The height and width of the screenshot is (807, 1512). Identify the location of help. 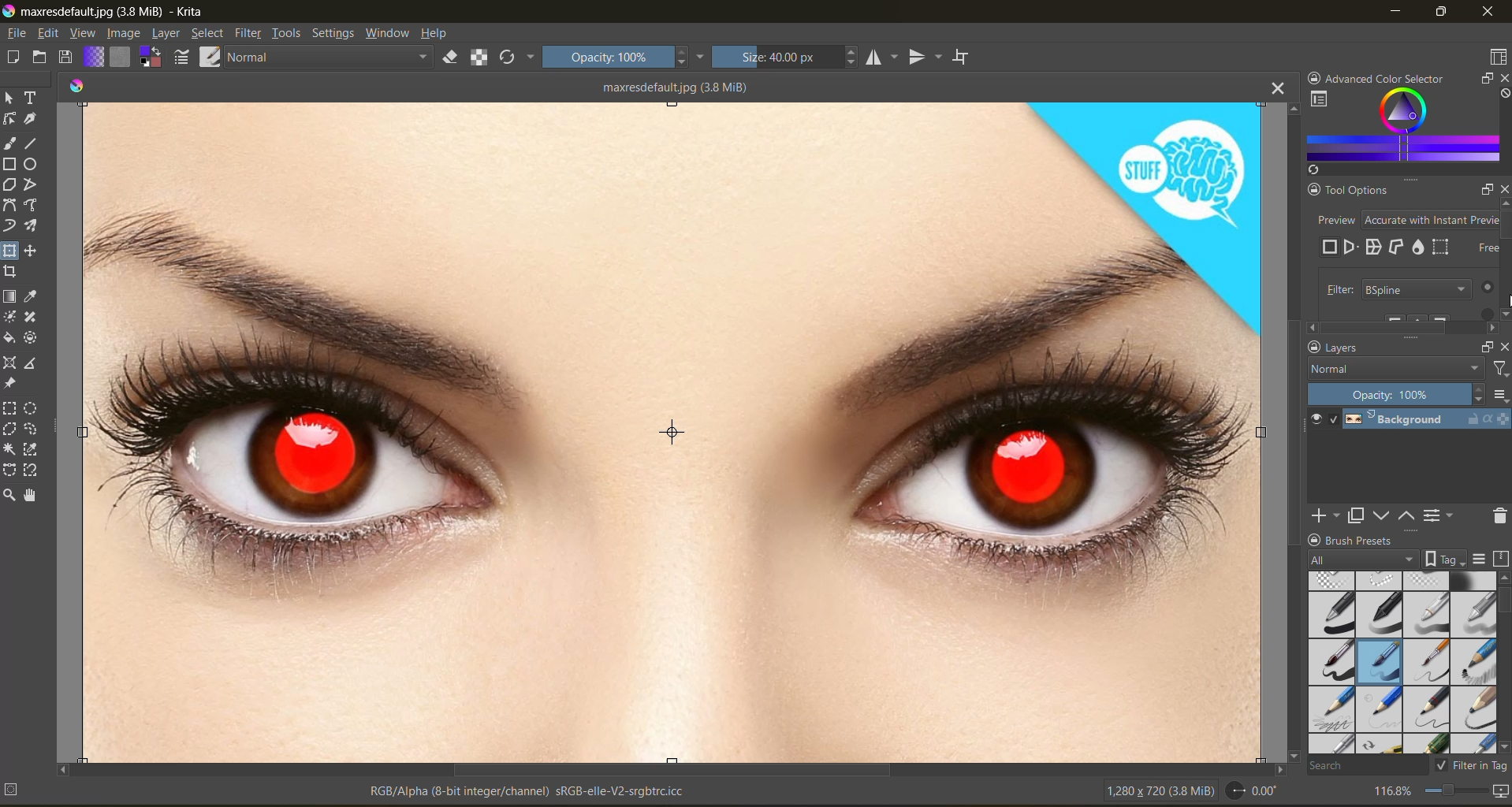
(438, 33).